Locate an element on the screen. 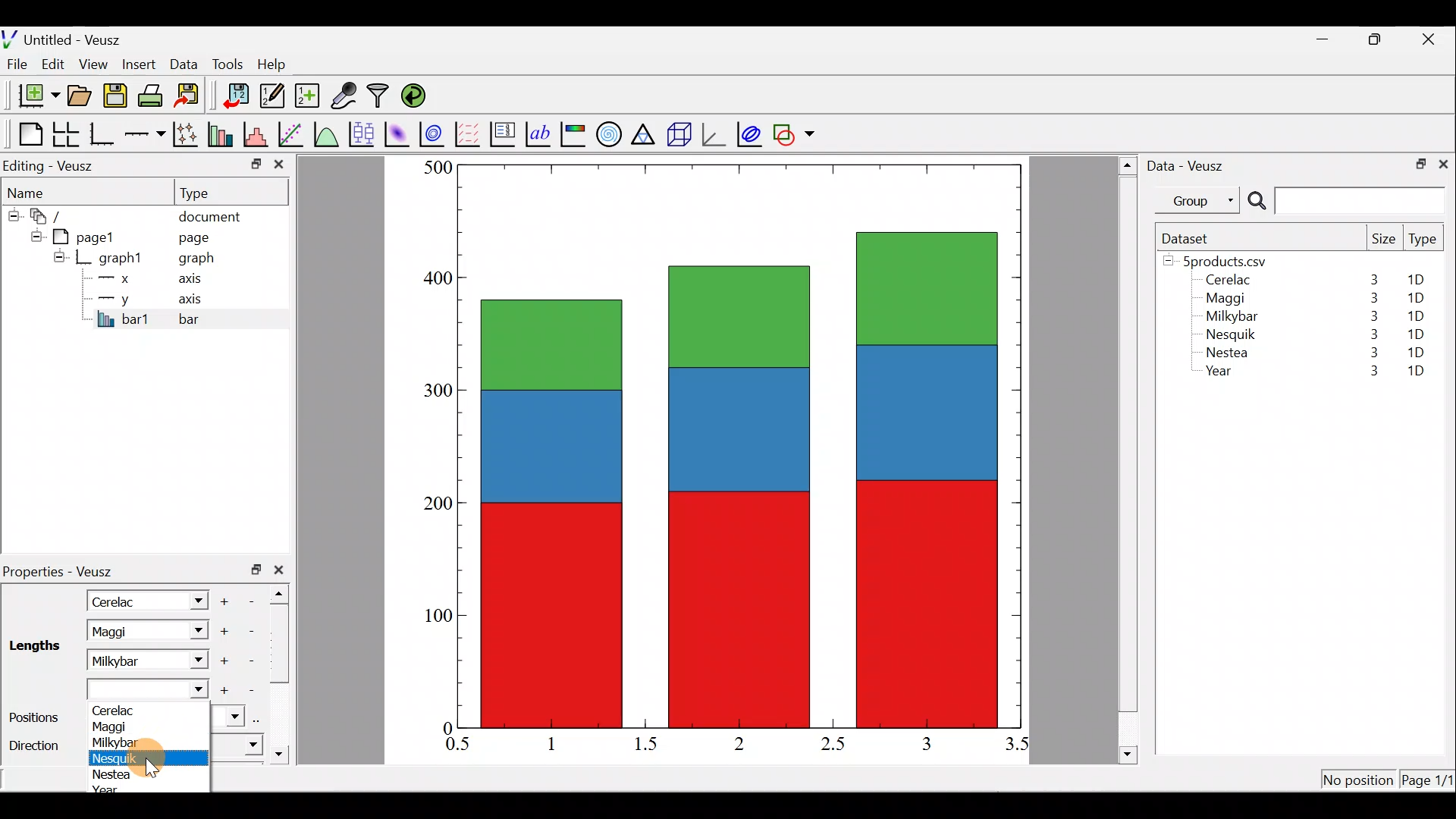 This screenshot has width=1456, height=819. Milkybar is located at coordinates (1228, 318).